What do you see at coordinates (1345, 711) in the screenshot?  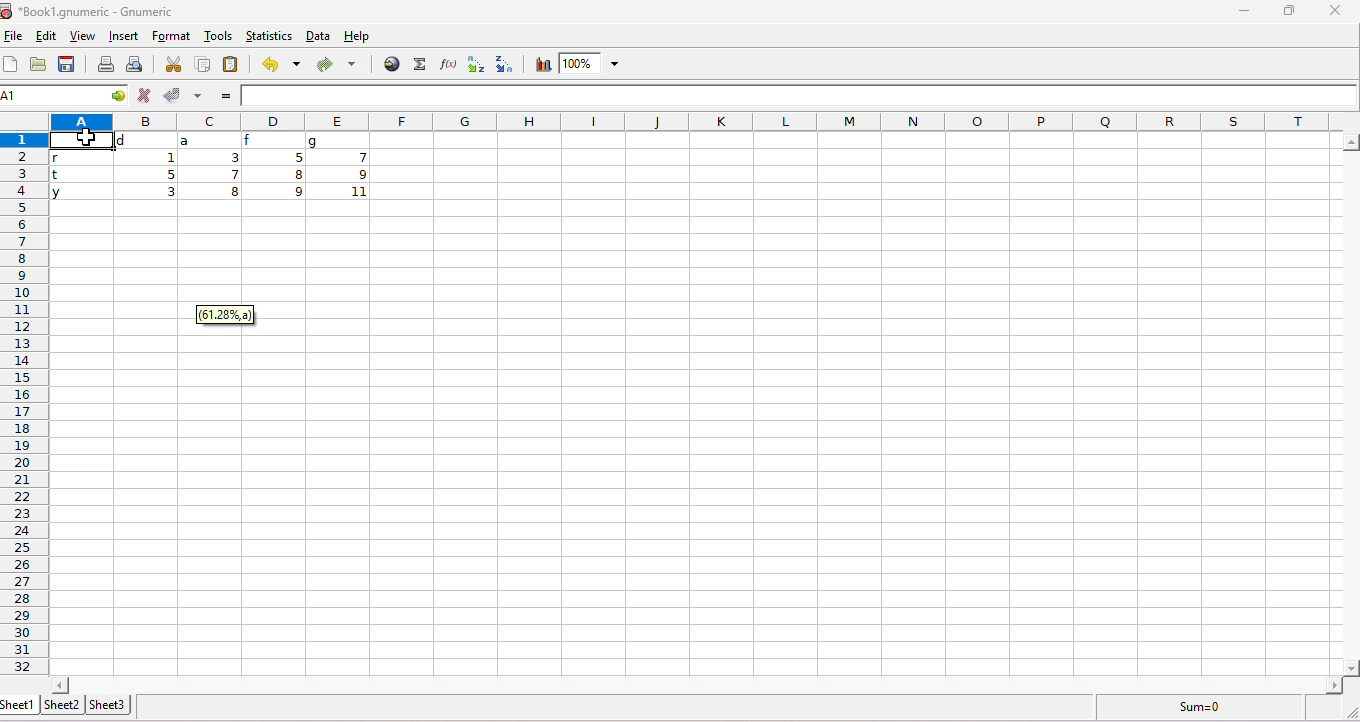 I see `expand` at bounding box center [1345, 711].